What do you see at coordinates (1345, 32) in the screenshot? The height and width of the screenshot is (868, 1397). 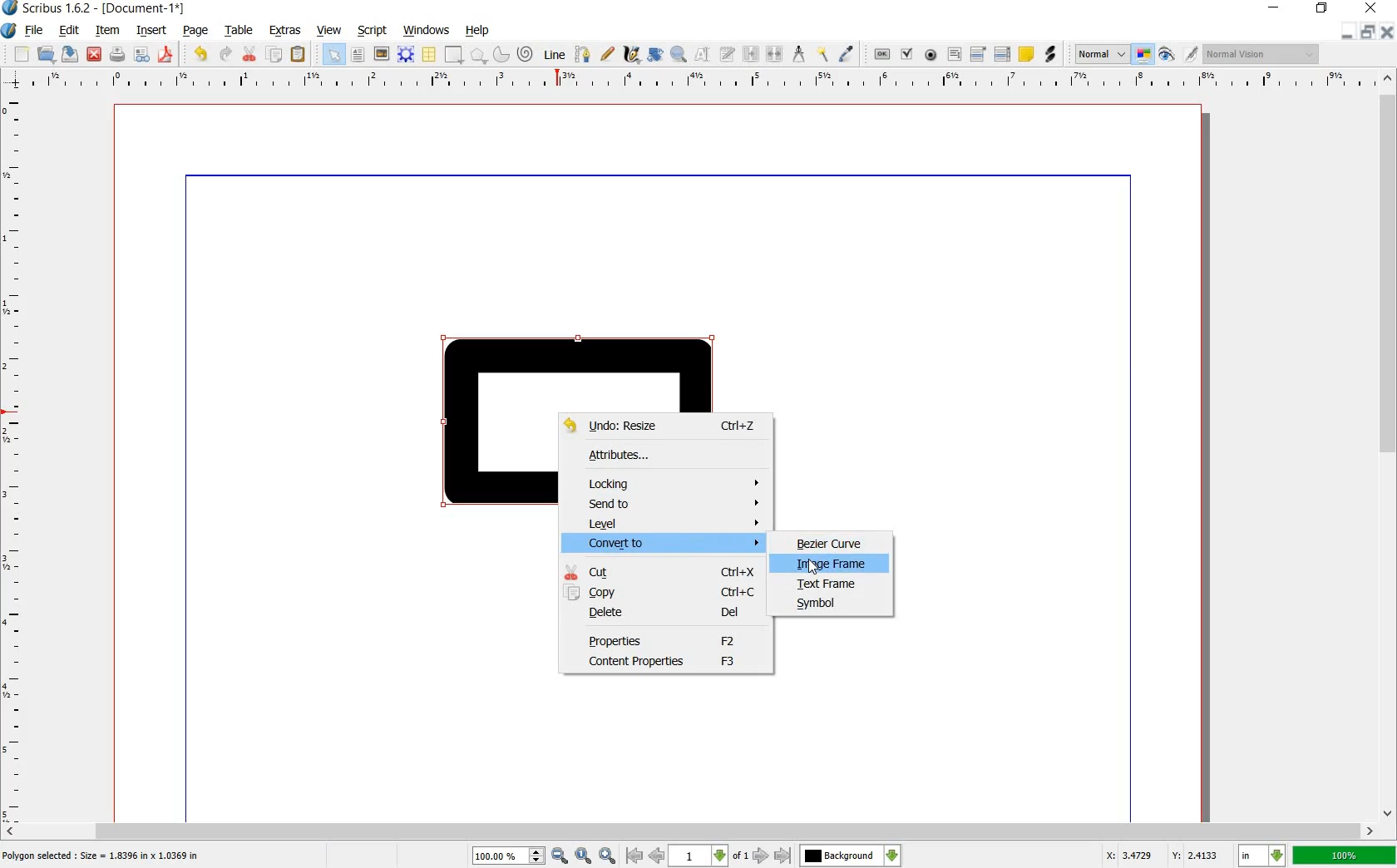 I see `minimize` at bounding box center [1345, 32].